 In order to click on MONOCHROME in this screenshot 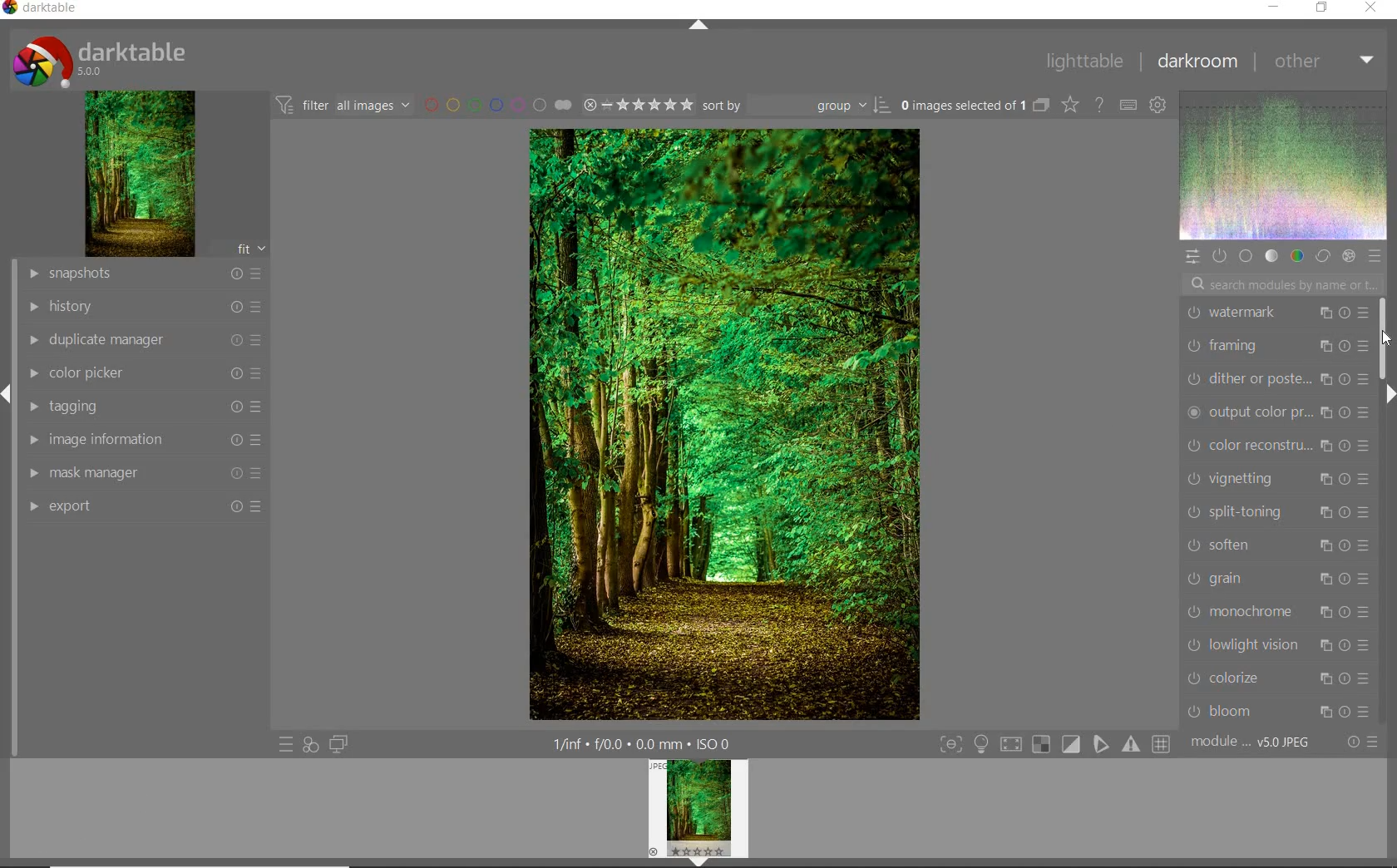, I will do `click(1276, 610)`.